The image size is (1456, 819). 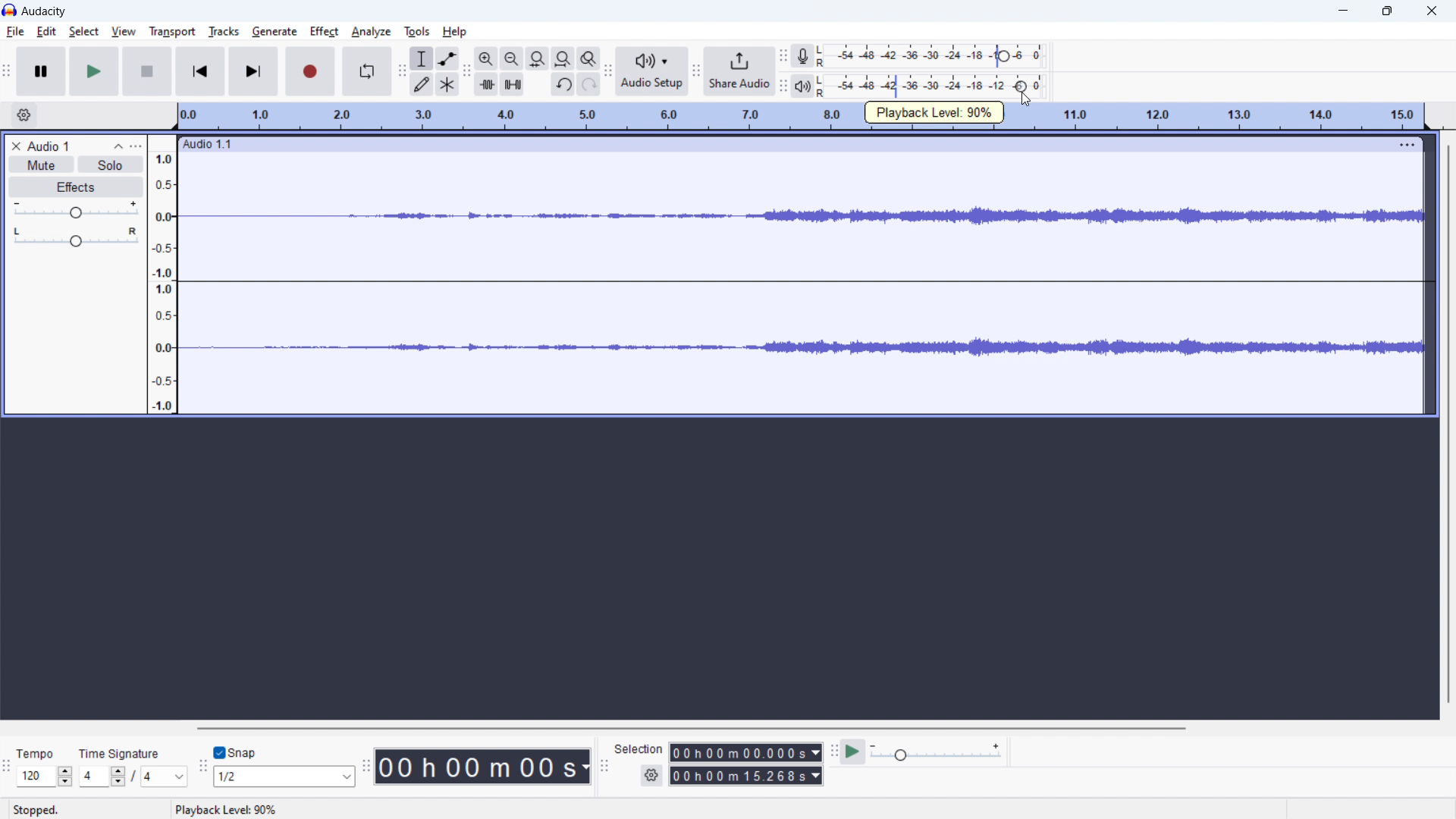 What do you see at coordinates (121, 752) in the screenshot?
I see `Time Signature` at bounding box center [121, 752].